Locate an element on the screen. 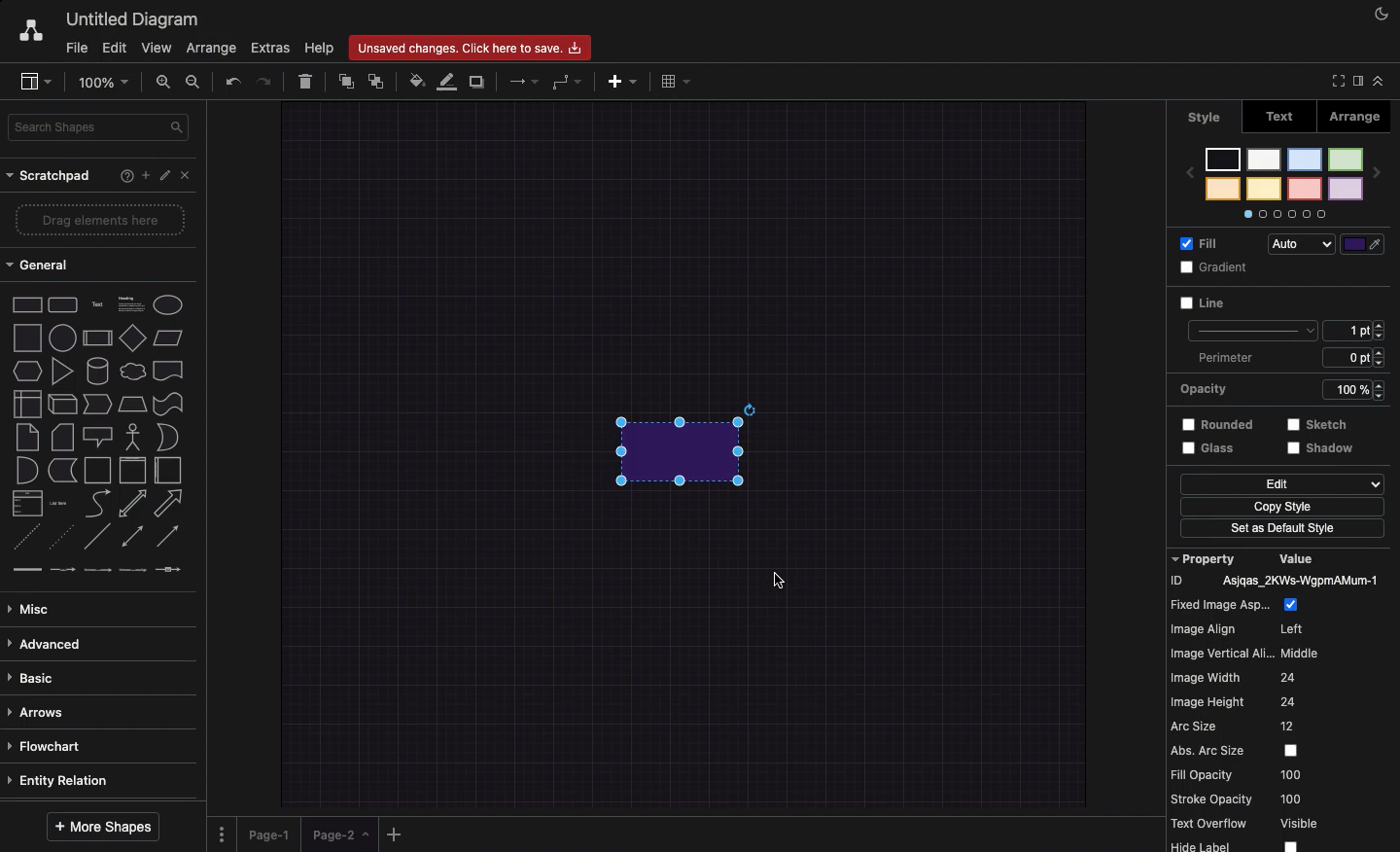 The width and height of the screenshot is (1400, 852). Flowchart is located at coordinates (48, 745).